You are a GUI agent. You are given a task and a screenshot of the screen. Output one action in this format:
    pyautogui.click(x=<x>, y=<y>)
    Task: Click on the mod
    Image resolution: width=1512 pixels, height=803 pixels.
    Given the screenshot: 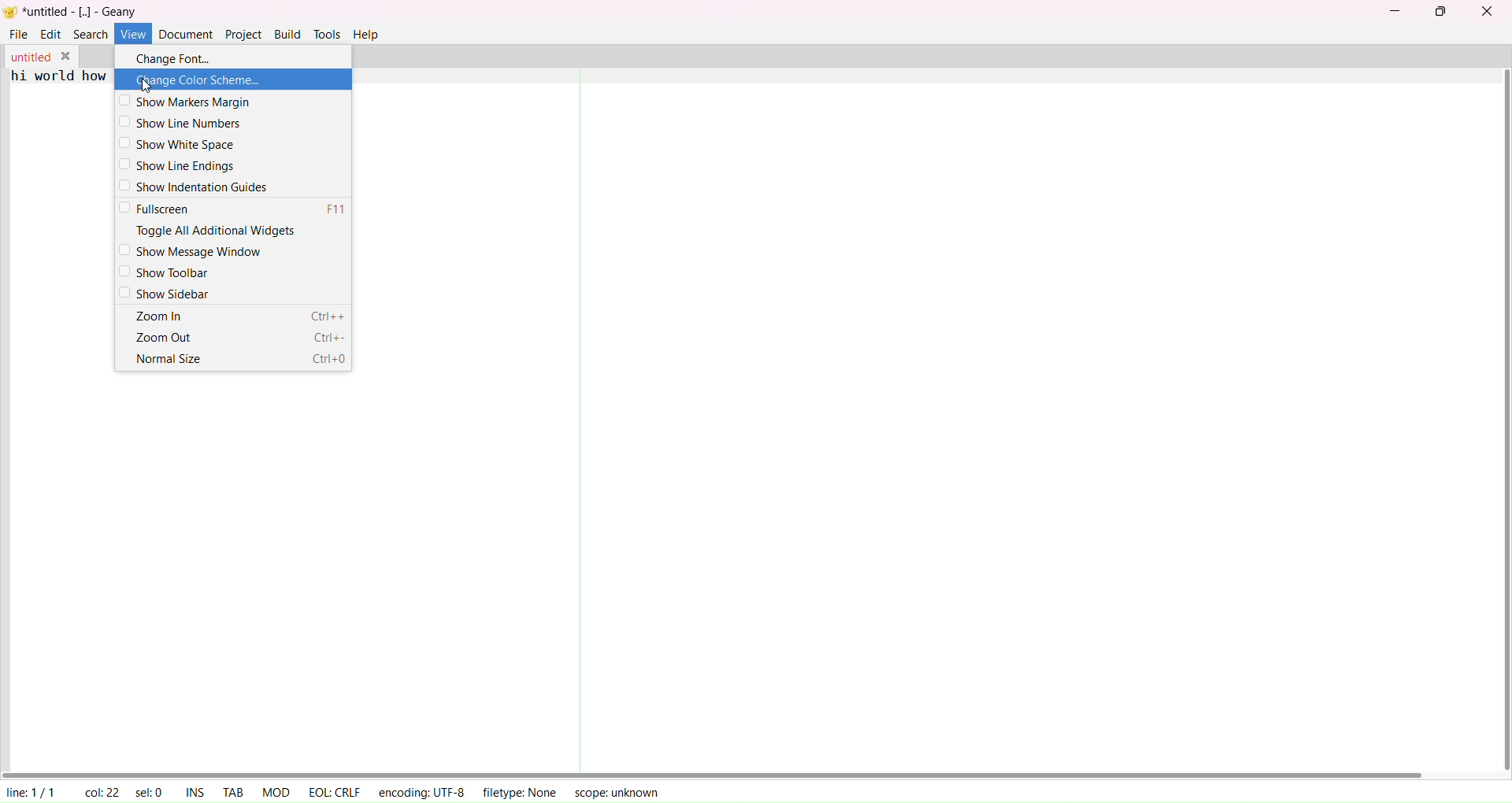 What is the action you would take?
    pyautogui.click(x=273, y=790)
    